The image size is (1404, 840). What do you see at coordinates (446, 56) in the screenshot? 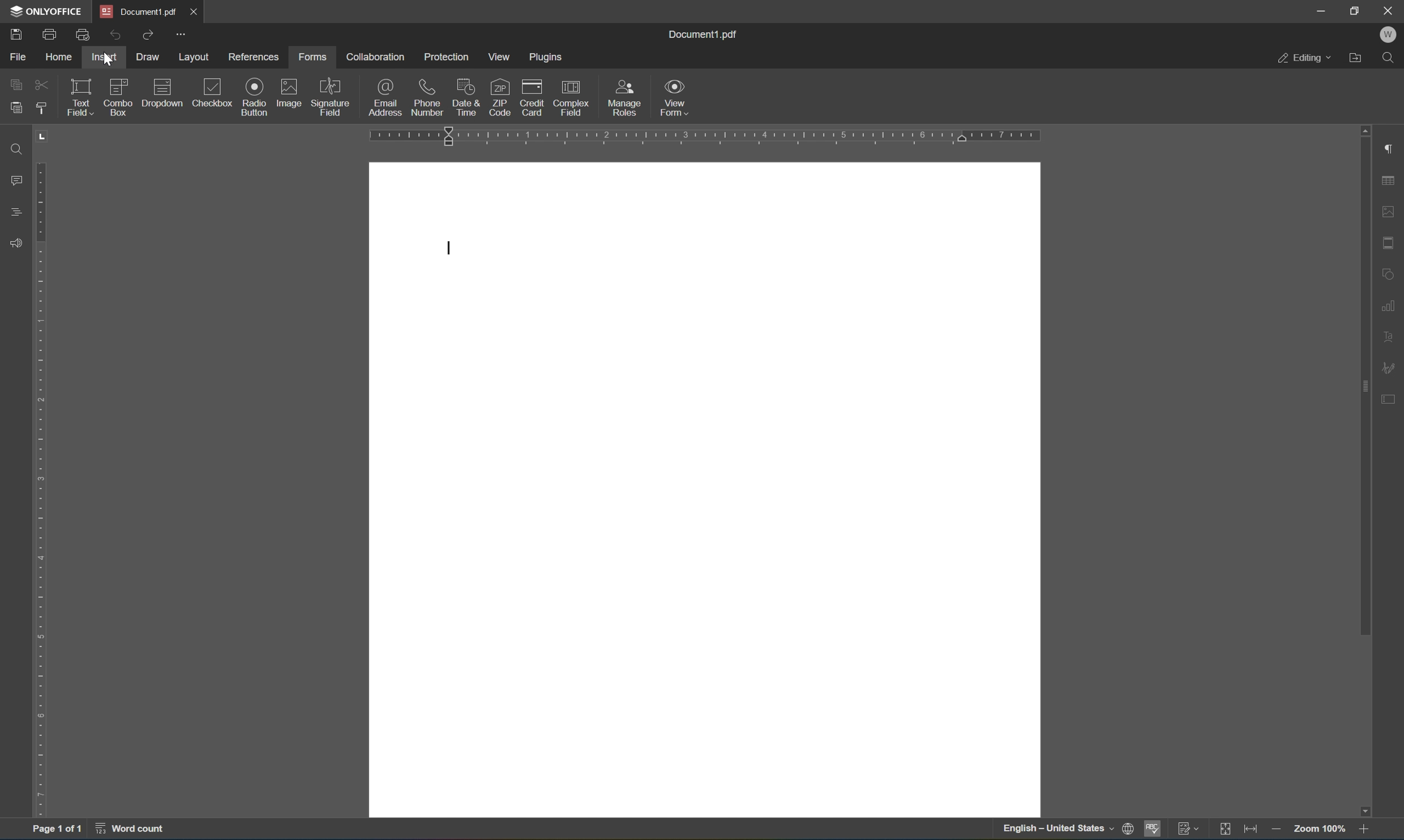
I see `protection` at bounding box center [446, 56].